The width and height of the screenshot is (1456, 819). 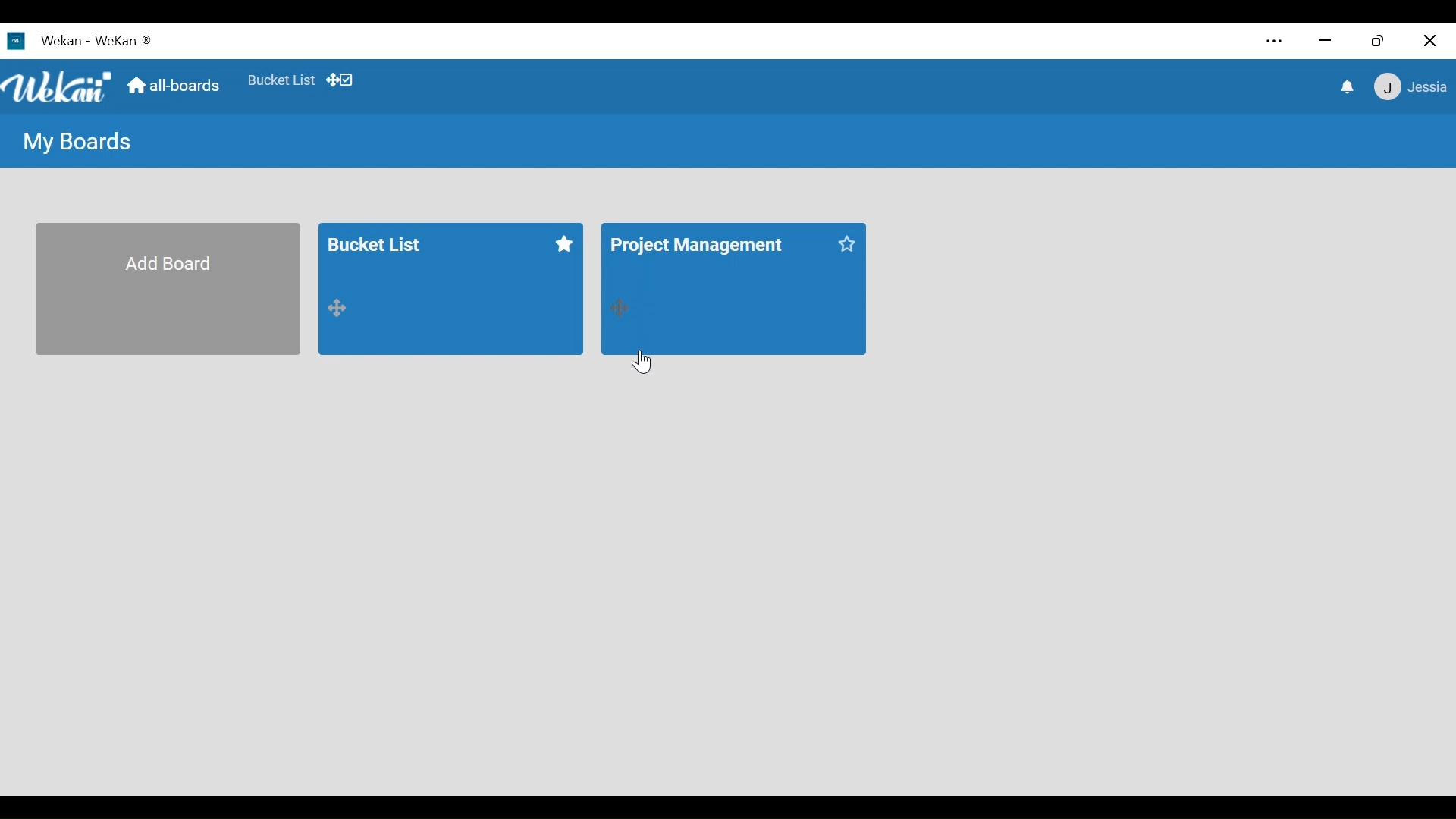 I want to click on Click to star this board, so click(x=847, y=243).